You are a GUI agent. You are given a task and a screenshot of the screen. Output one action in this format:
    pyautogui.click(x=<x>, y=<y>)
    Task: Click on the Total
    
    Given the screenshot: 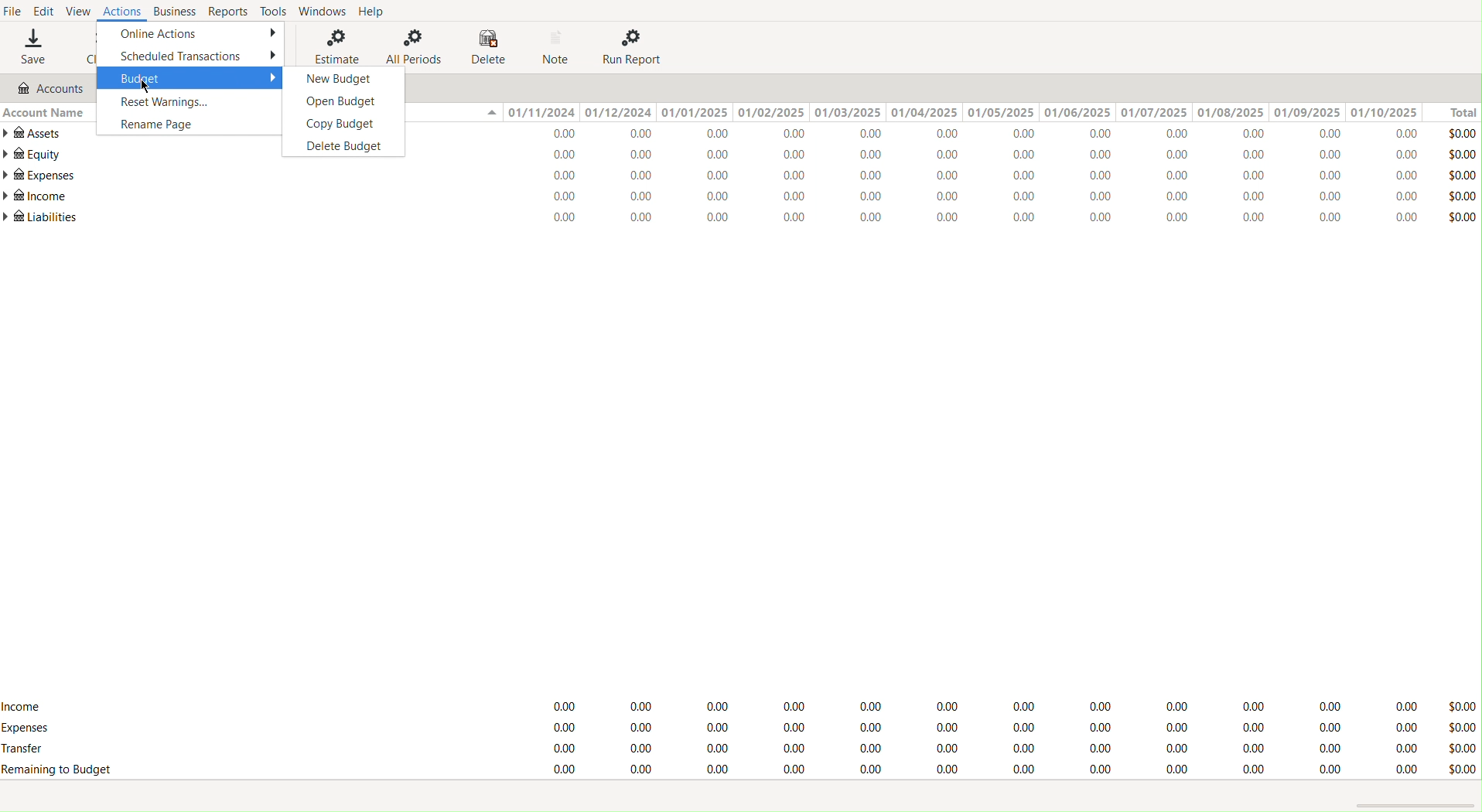 What is the action you would take?
    pyautogui.click(x=1455, y=111)
    